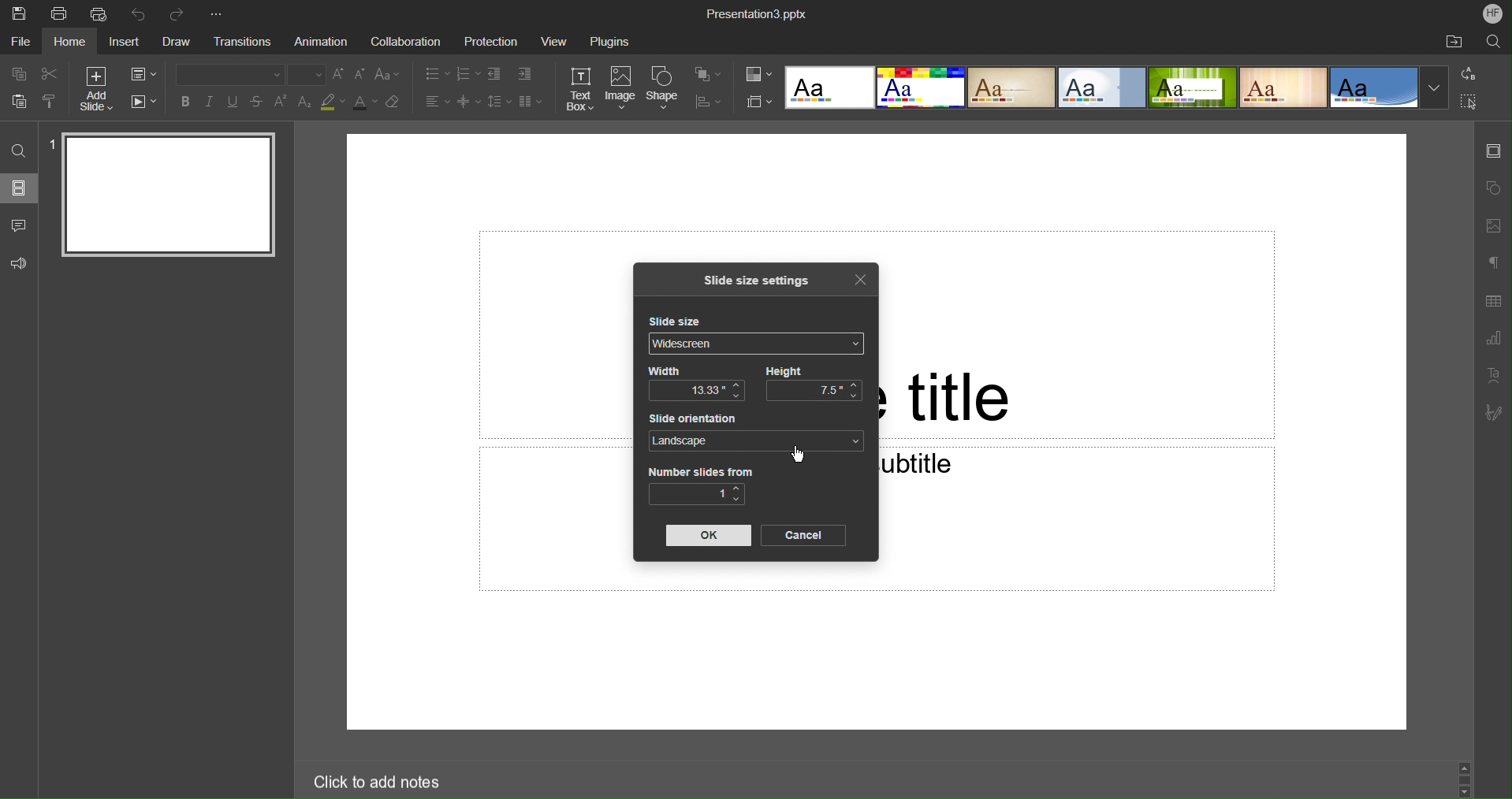  Describe the element at coordinates (19, 263) in the screenshot. I see `Feedback and Support` at that location.